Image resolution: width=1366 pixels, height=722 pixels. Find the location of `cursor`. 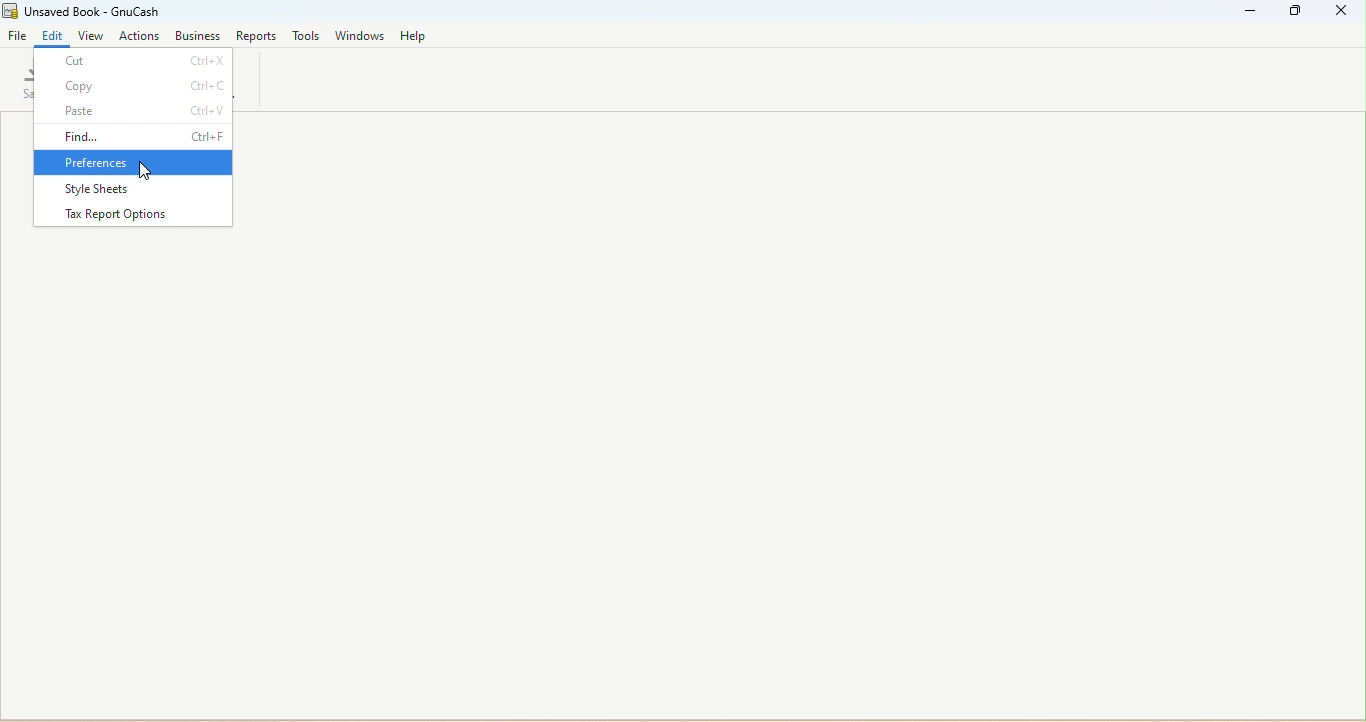

cursor is located at coordinates (144, 175).